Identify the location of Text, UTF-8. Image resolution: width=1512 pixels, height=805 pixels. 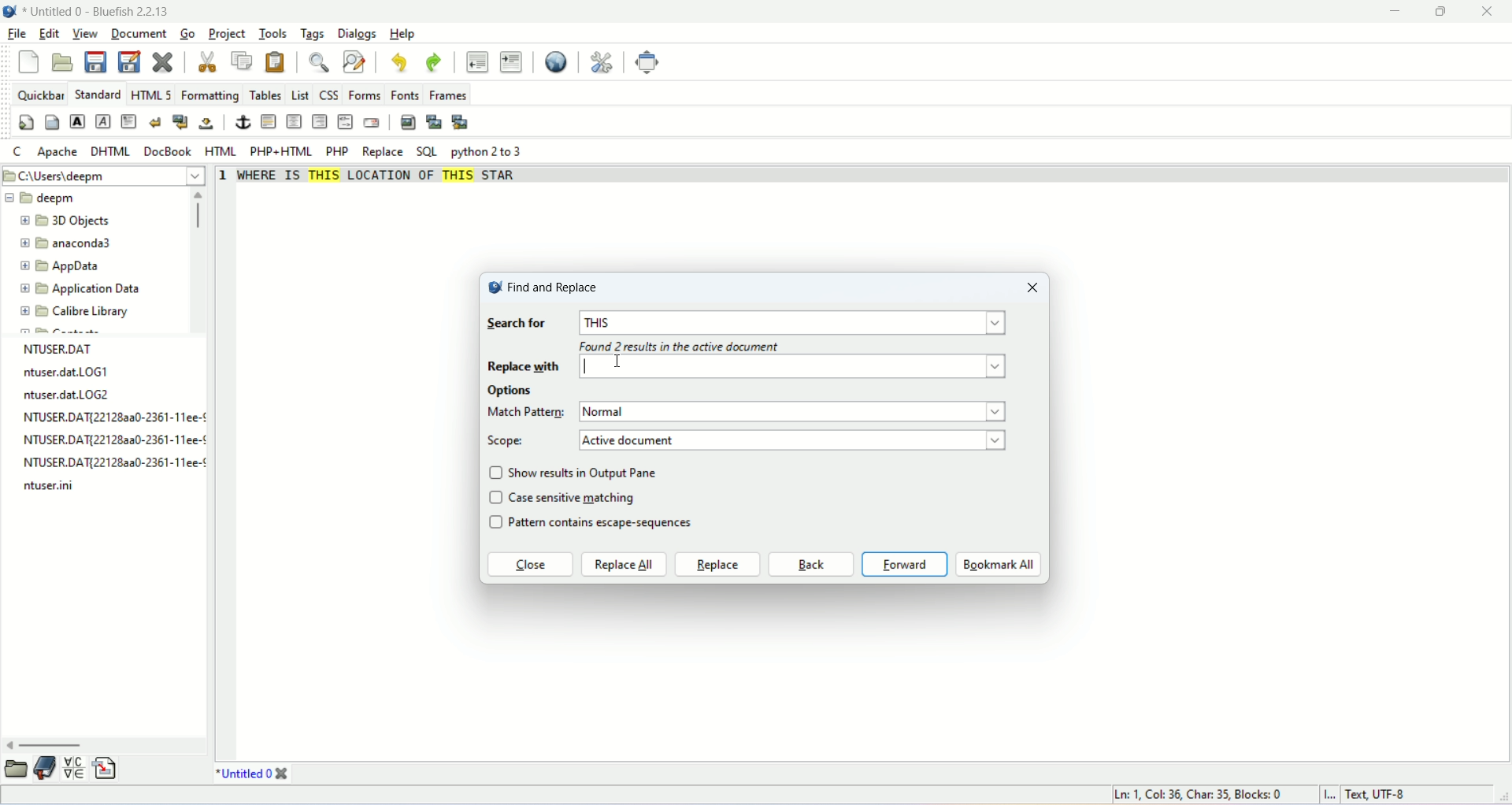
(1373, 796).